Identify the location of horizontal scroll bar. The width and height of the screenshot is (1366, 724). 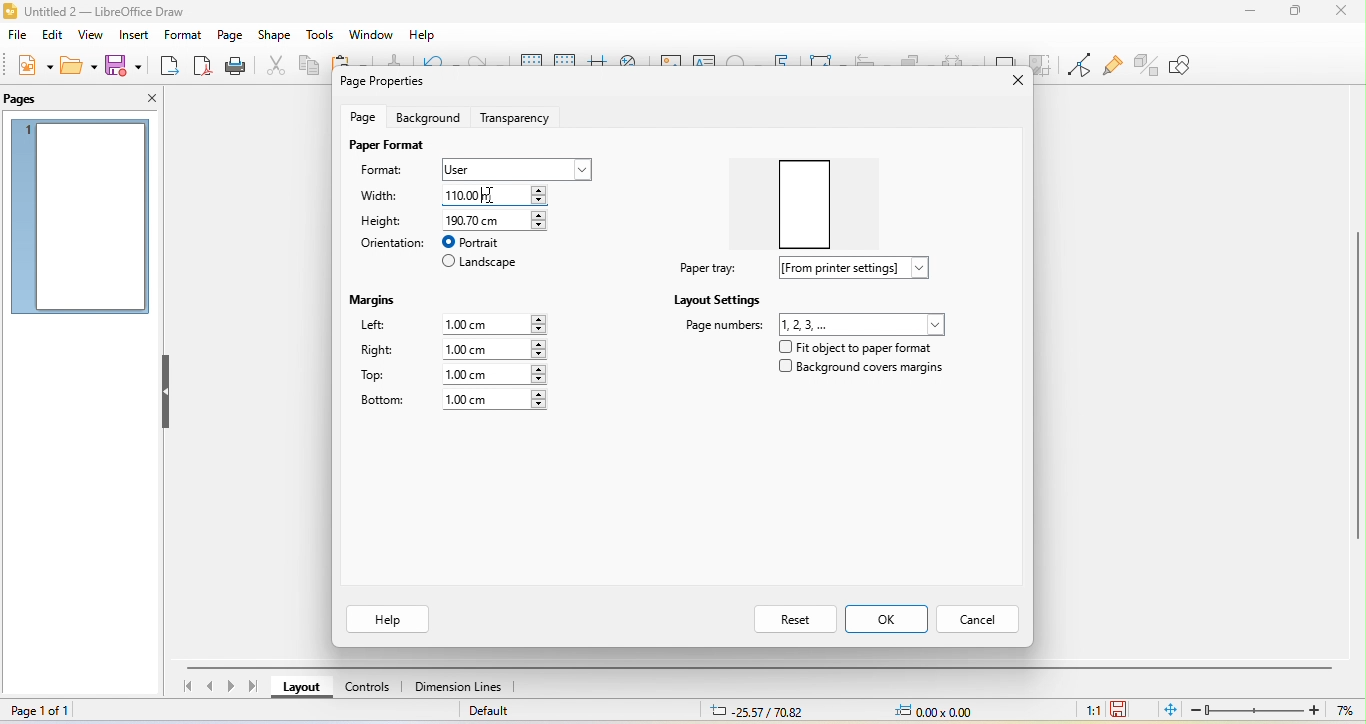
(763, 665).